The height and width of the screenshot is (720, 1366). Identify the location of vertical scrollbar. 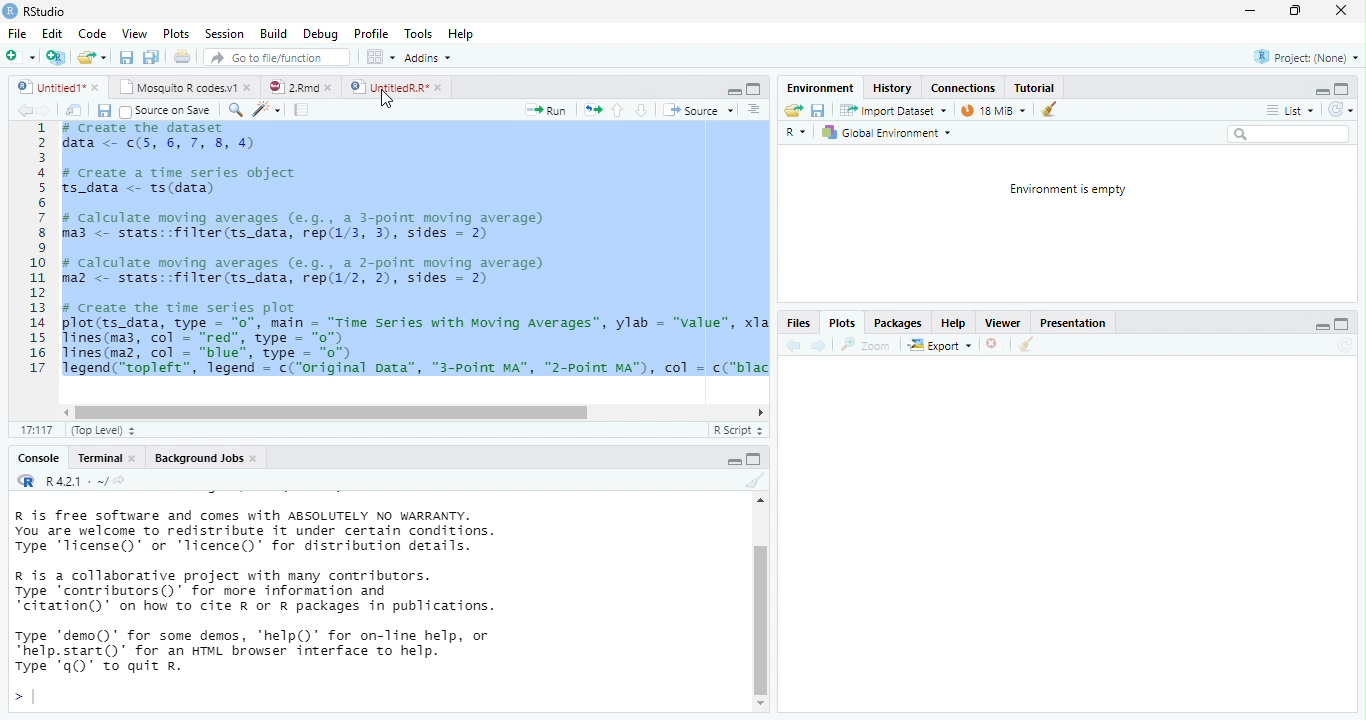
(761, 619).